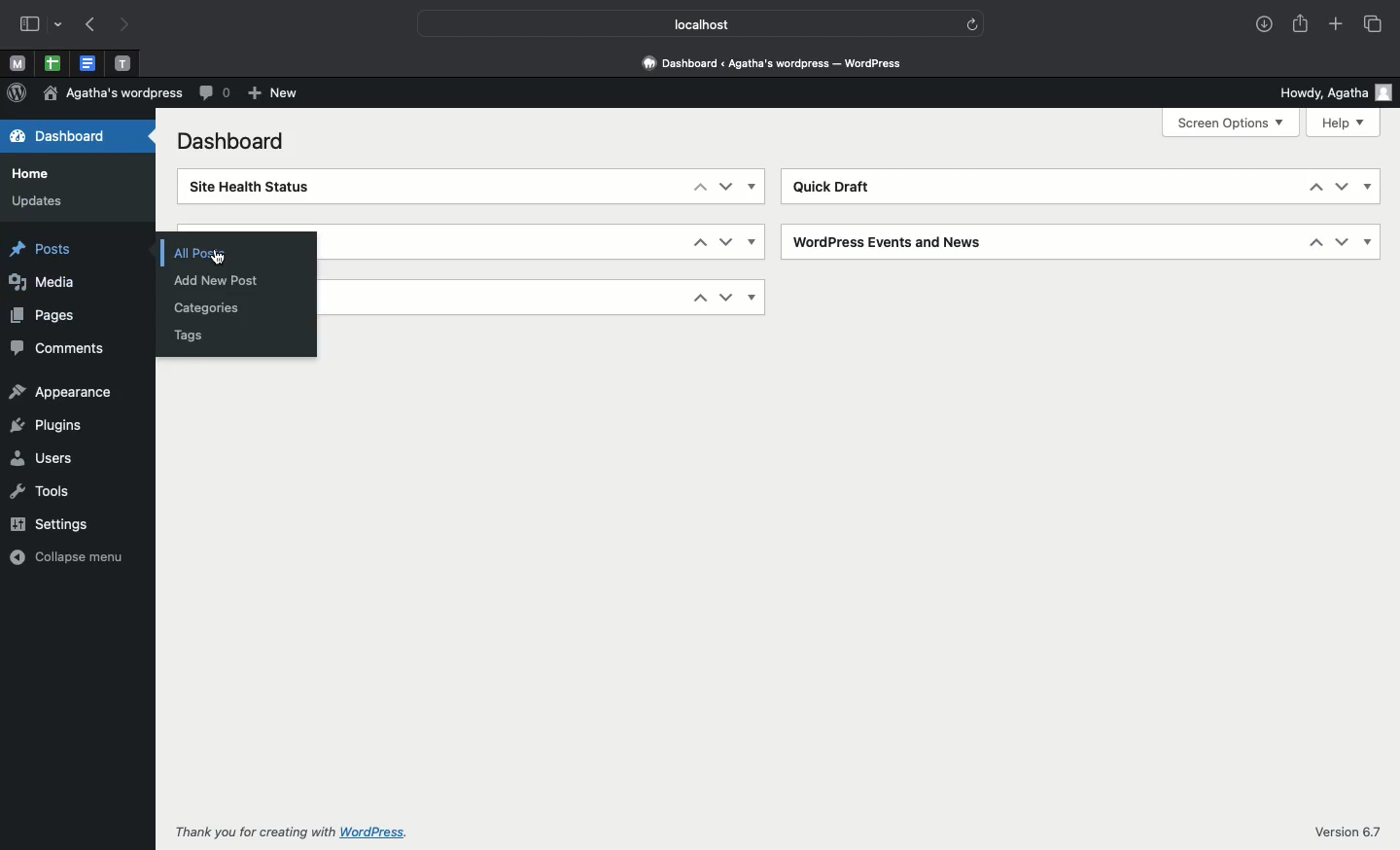 This screenshot has height=850, width=1400. What do you see at coordinates (754, 241) in the screenshot?
I see `Show` at bounding box center [754, 241].